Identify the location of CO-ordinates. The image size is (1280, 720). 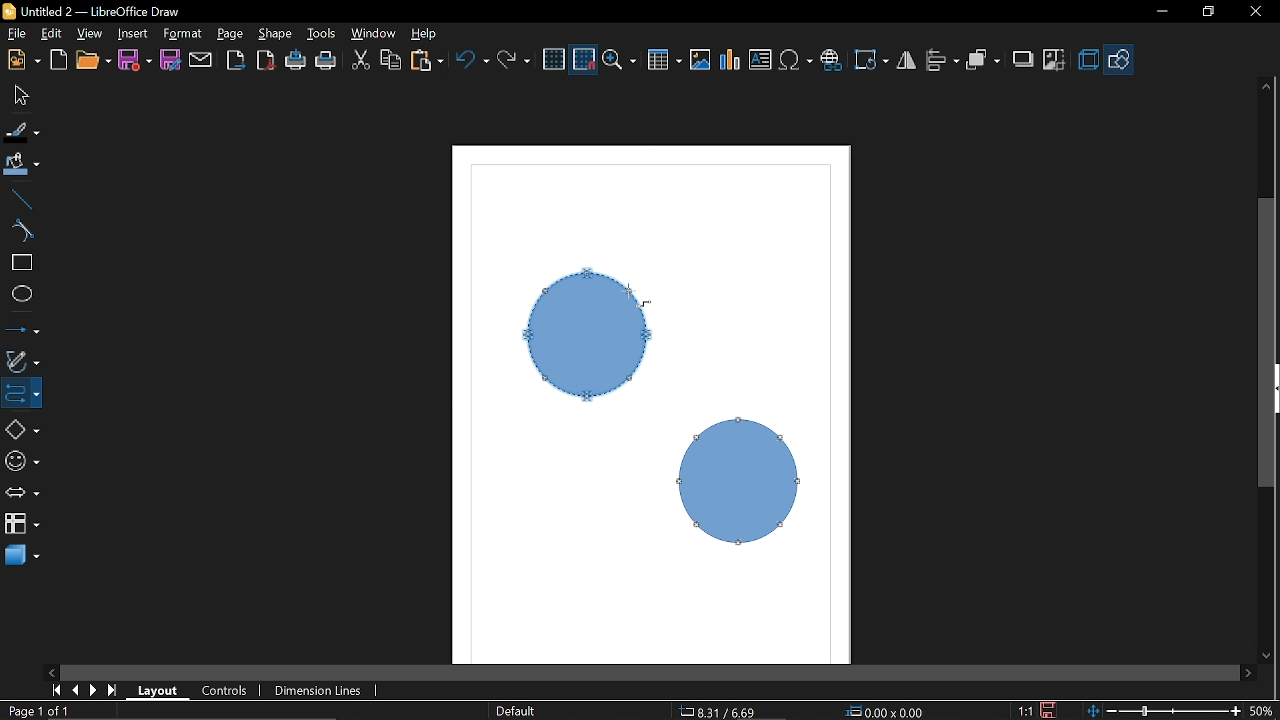
(730, 711).